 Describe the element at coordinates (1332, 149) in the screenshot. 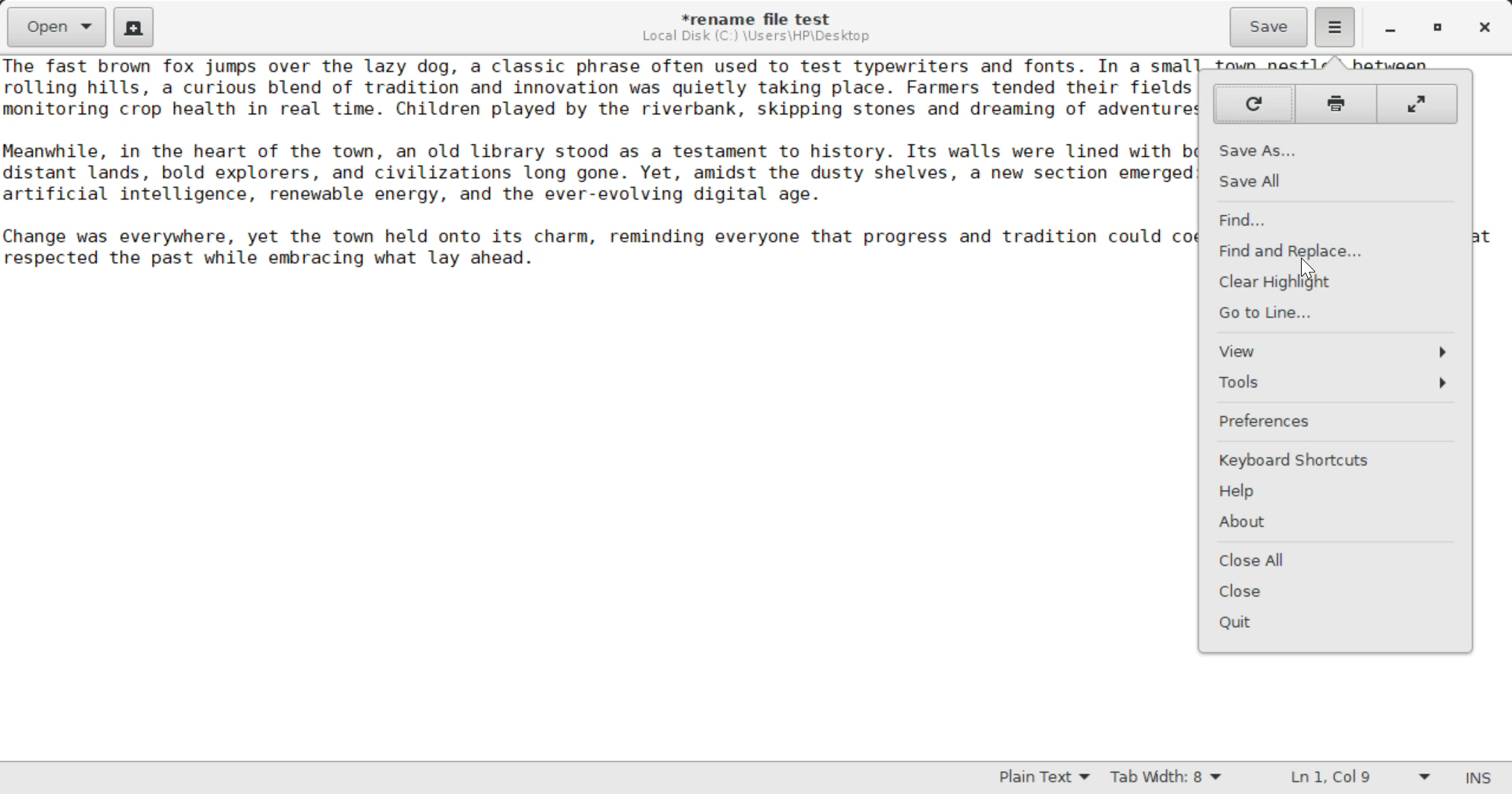

I see `Save As` at that location.